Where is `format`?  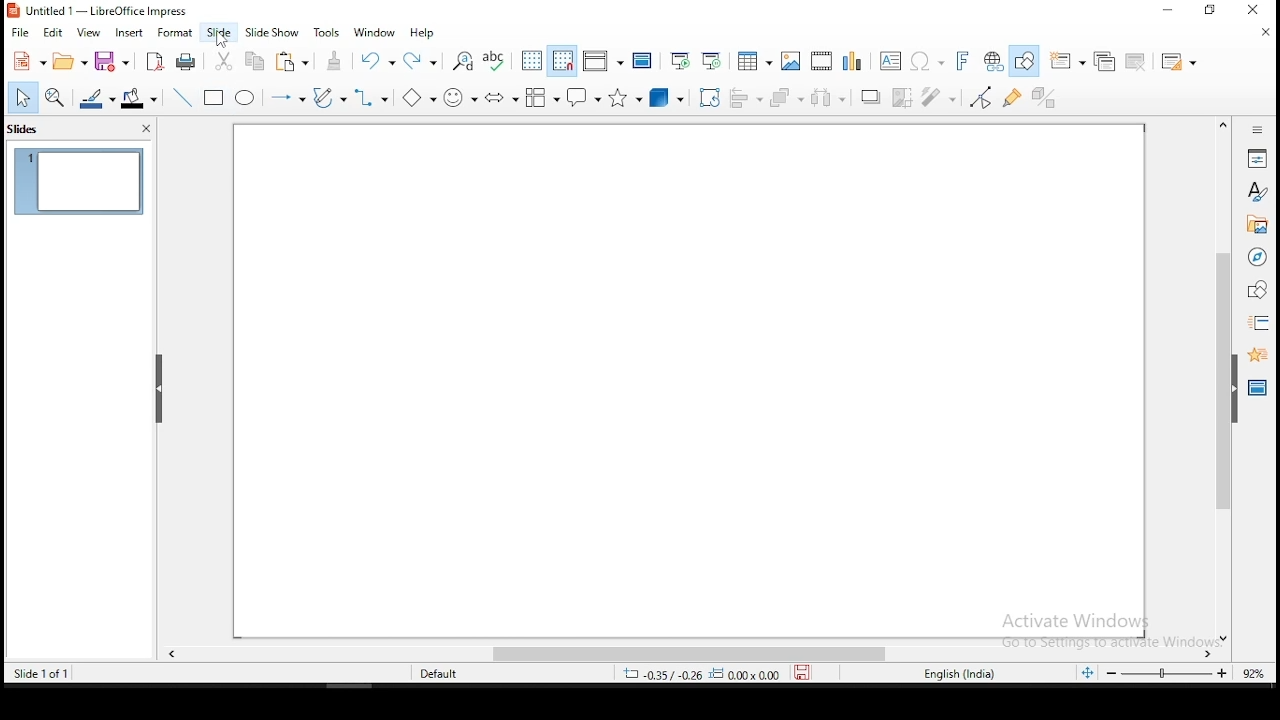
format is located at coordinates (179, 34).